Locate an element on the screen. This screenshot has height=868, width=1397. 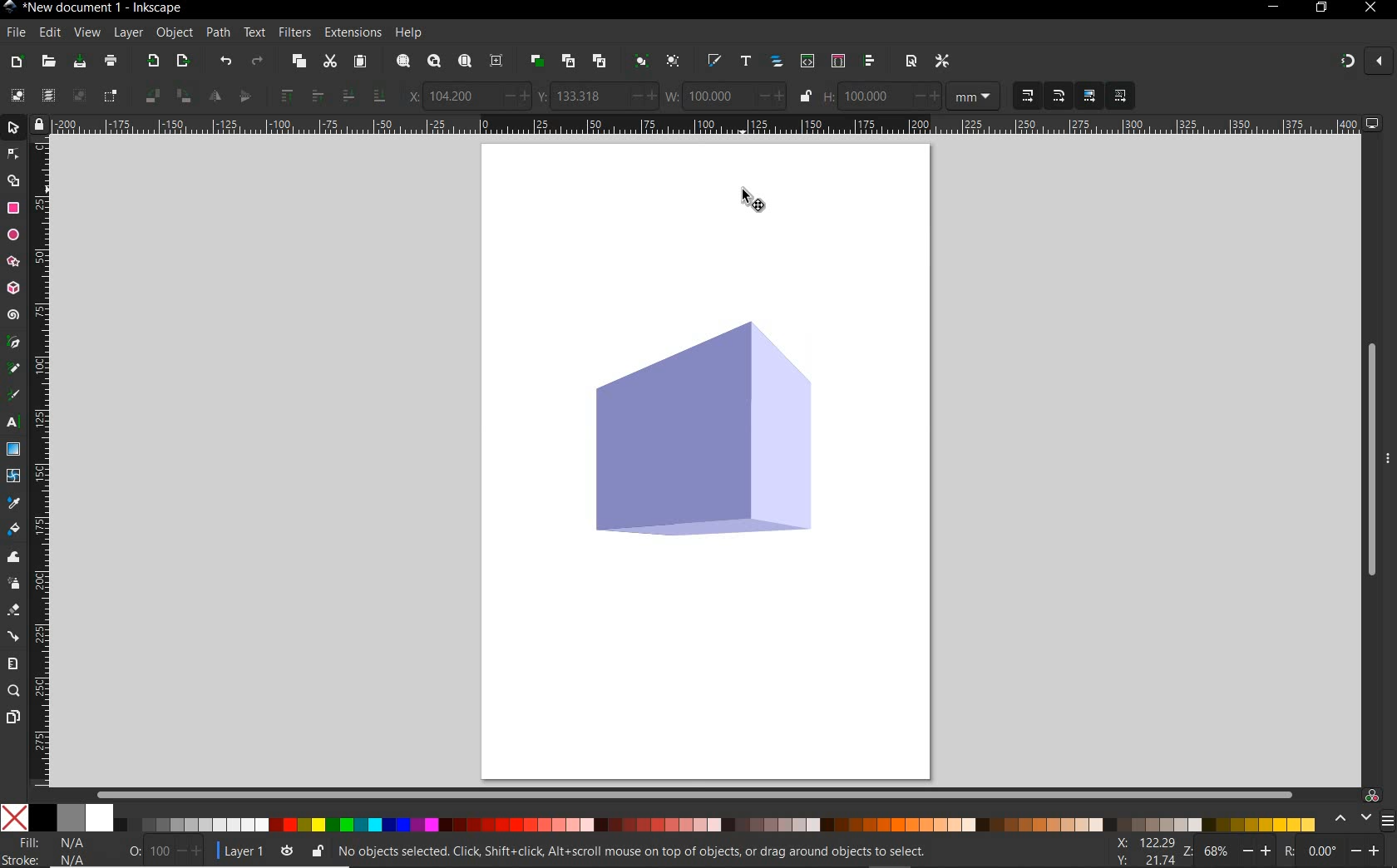
star tool is located at coordinates (13, 262).